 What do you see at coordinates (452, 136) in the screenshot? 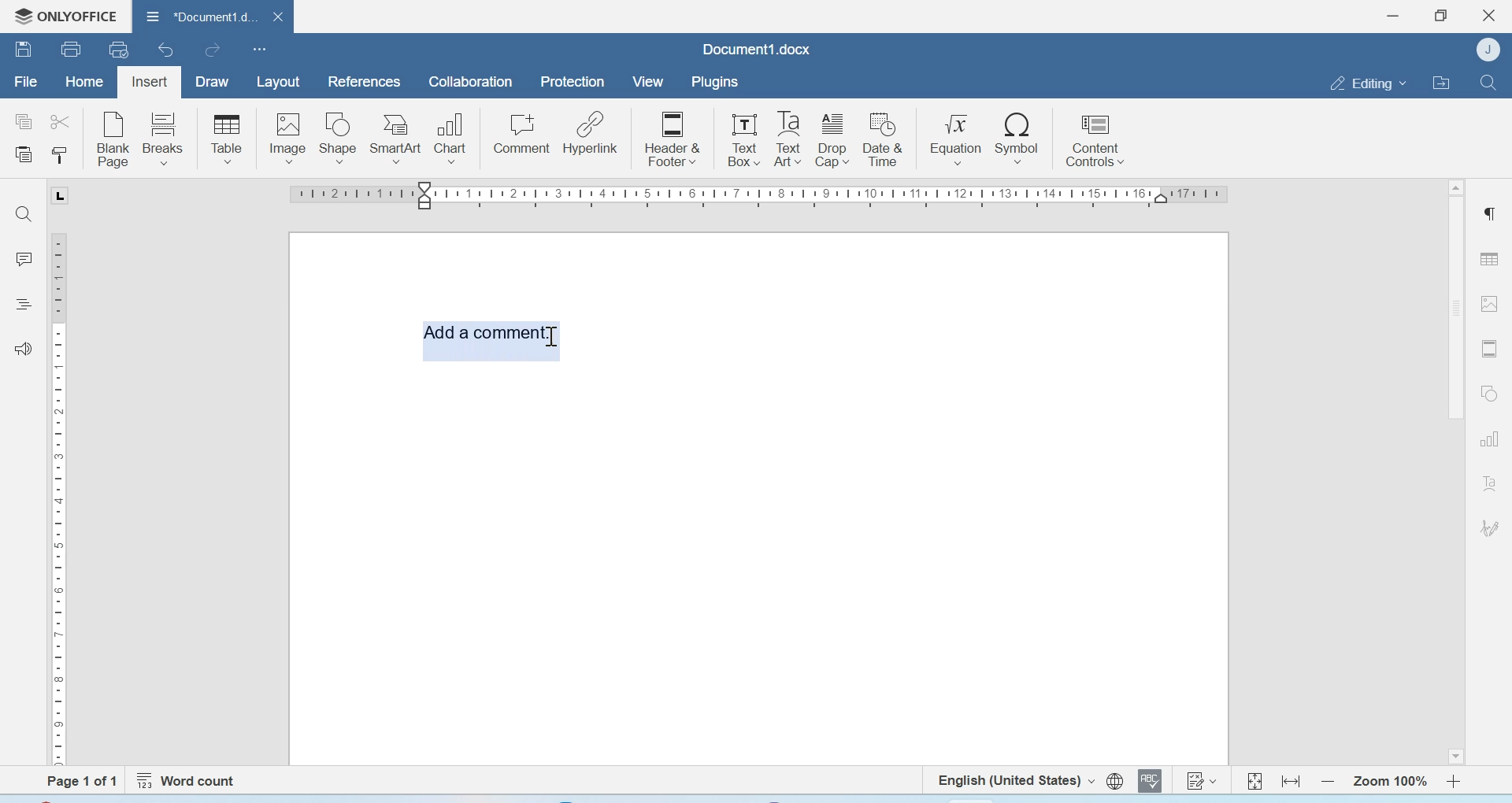
I see `Chart` at bounding box center [452, 136].